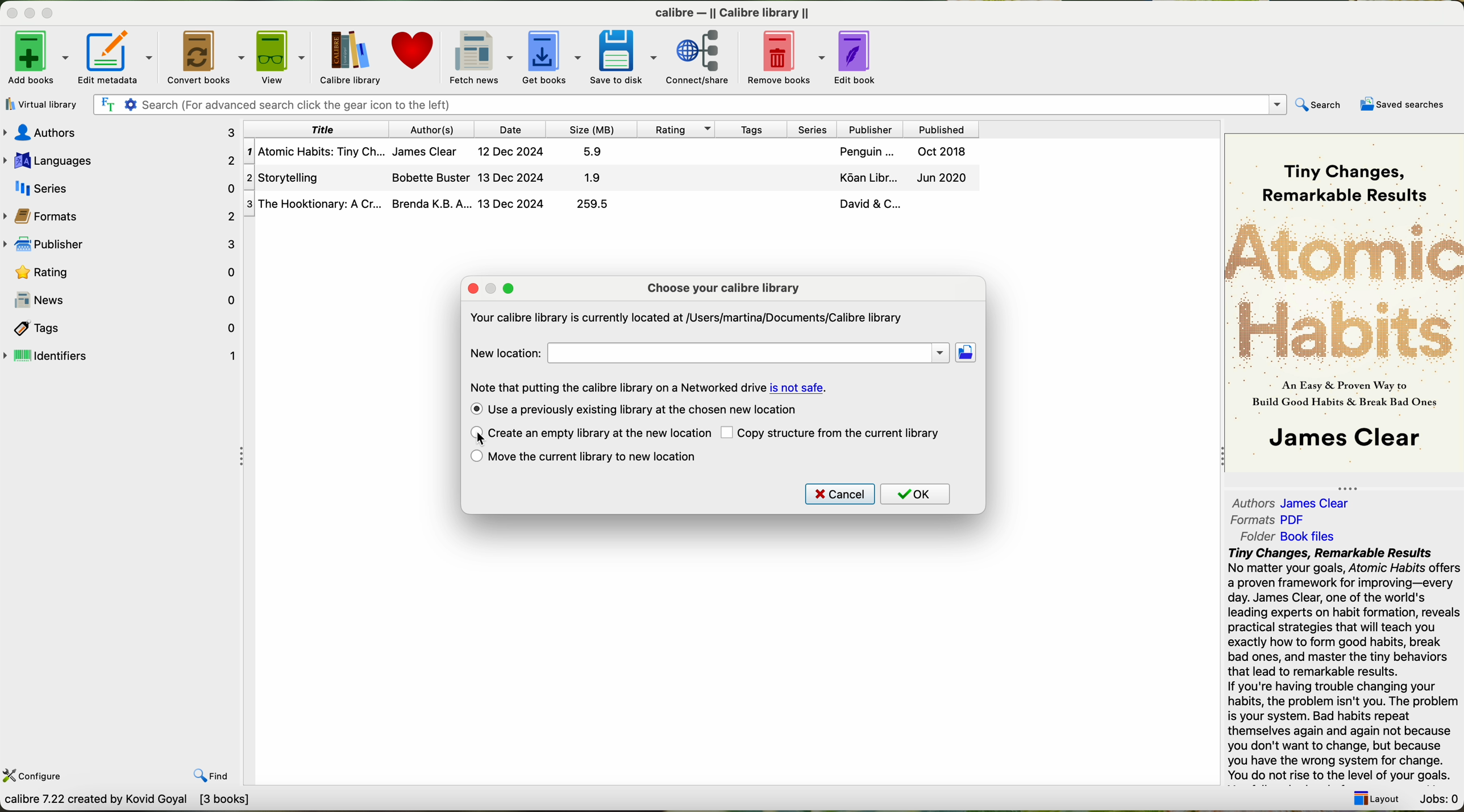 The height and width of the screenshot is (812, 1464). I want to click on new location, so click(505, 352).